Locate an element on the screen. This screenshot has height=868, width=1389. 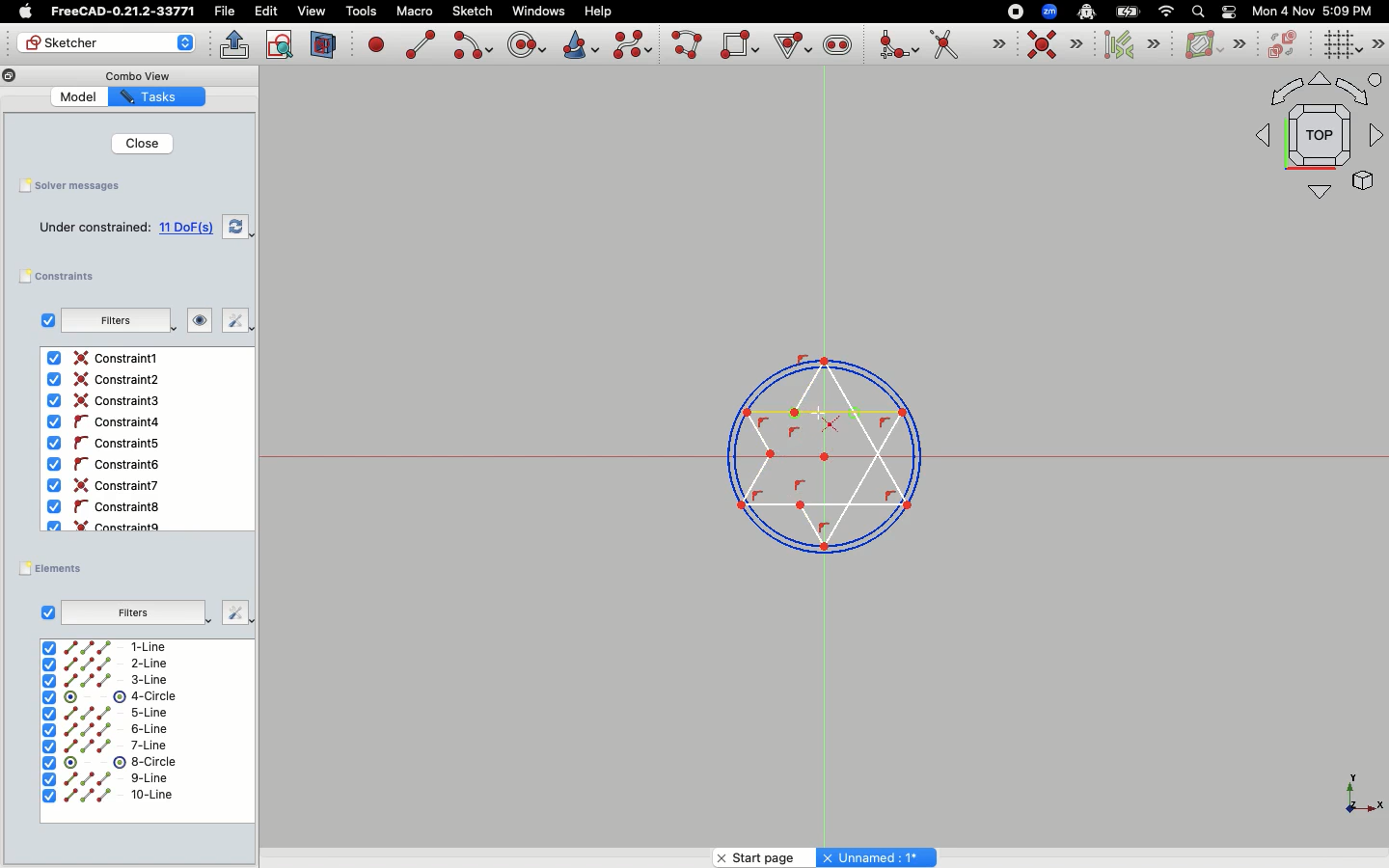
Combo View is located at coordinates (134, 75).